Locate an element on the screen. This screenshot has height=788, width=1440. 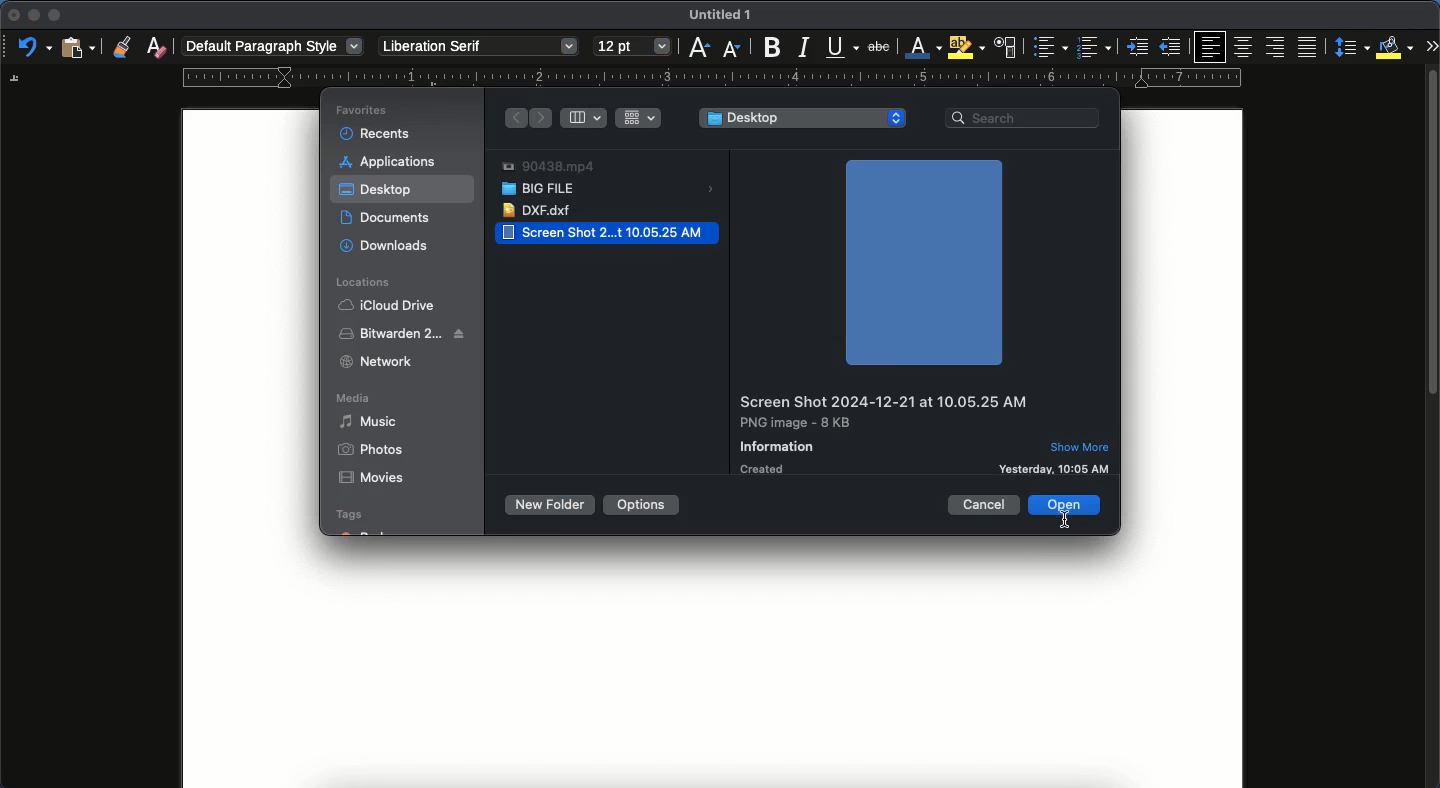
underline is located at coordinates (842, 49).